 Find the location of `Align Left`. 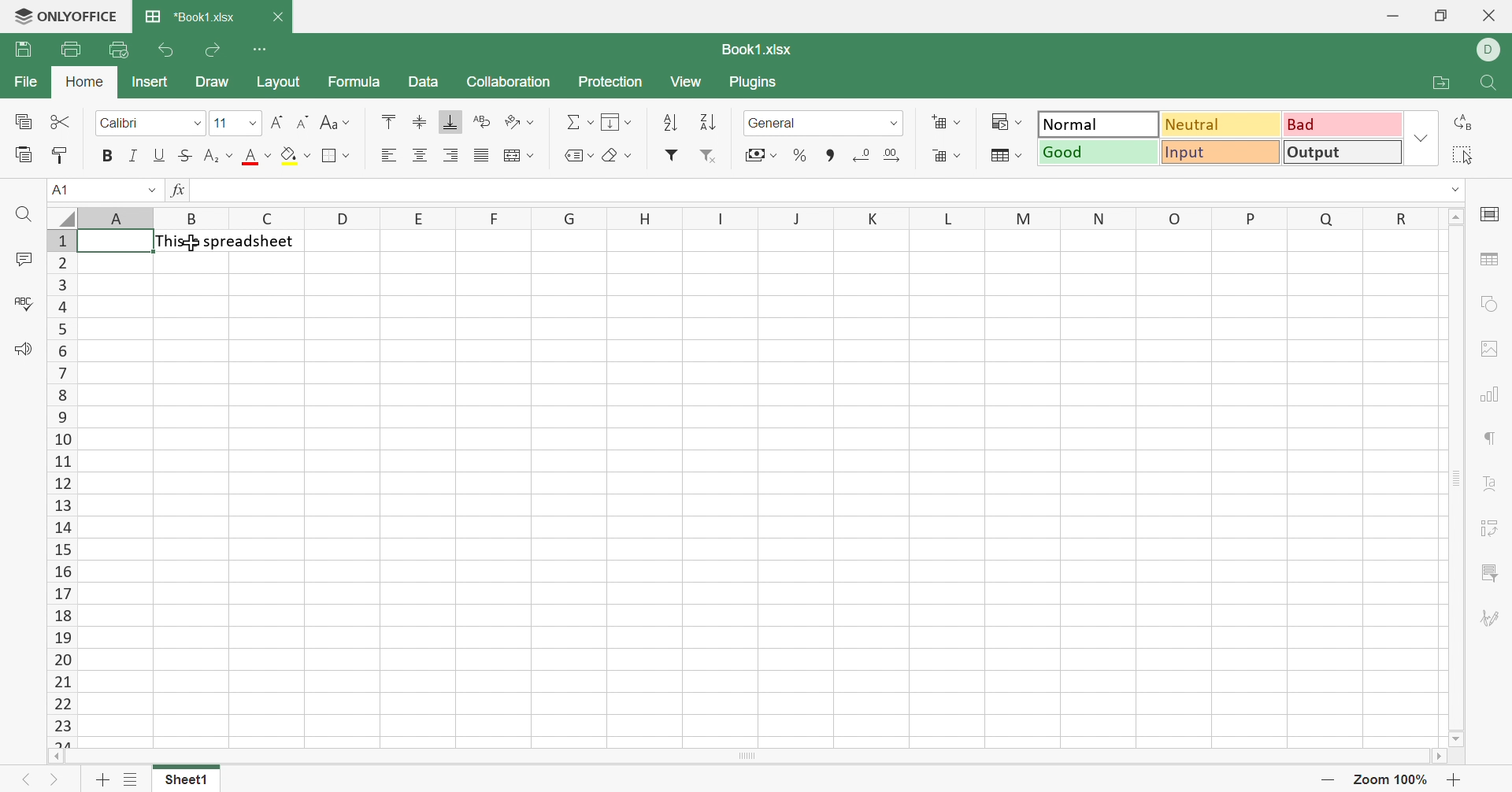

Align Left is located at coordinates (391, 156).